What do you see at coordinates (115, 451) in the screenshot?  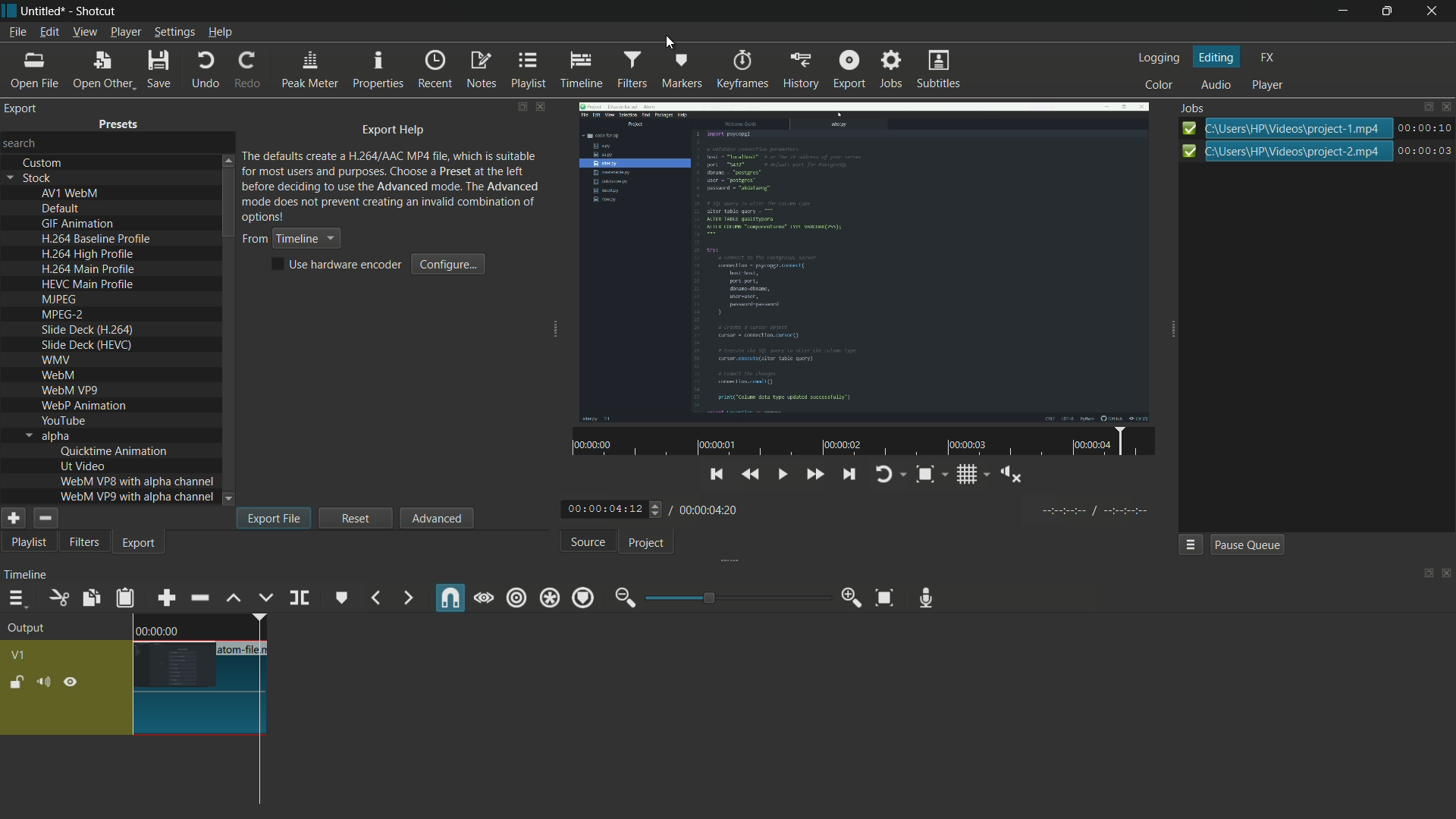 I see `quicktime animation` at bounding box center [115, 451].